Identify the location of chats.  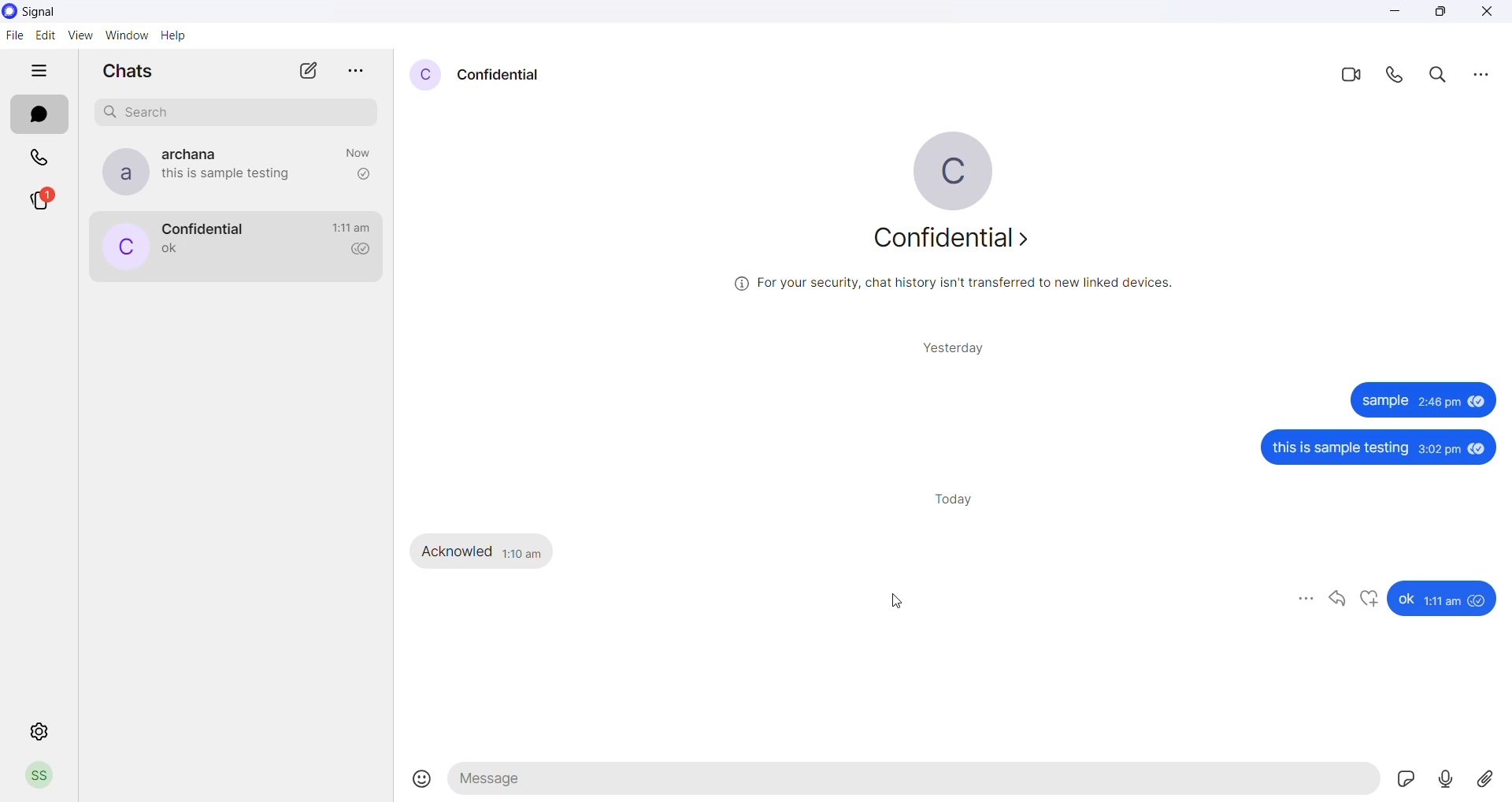
(39, 115).